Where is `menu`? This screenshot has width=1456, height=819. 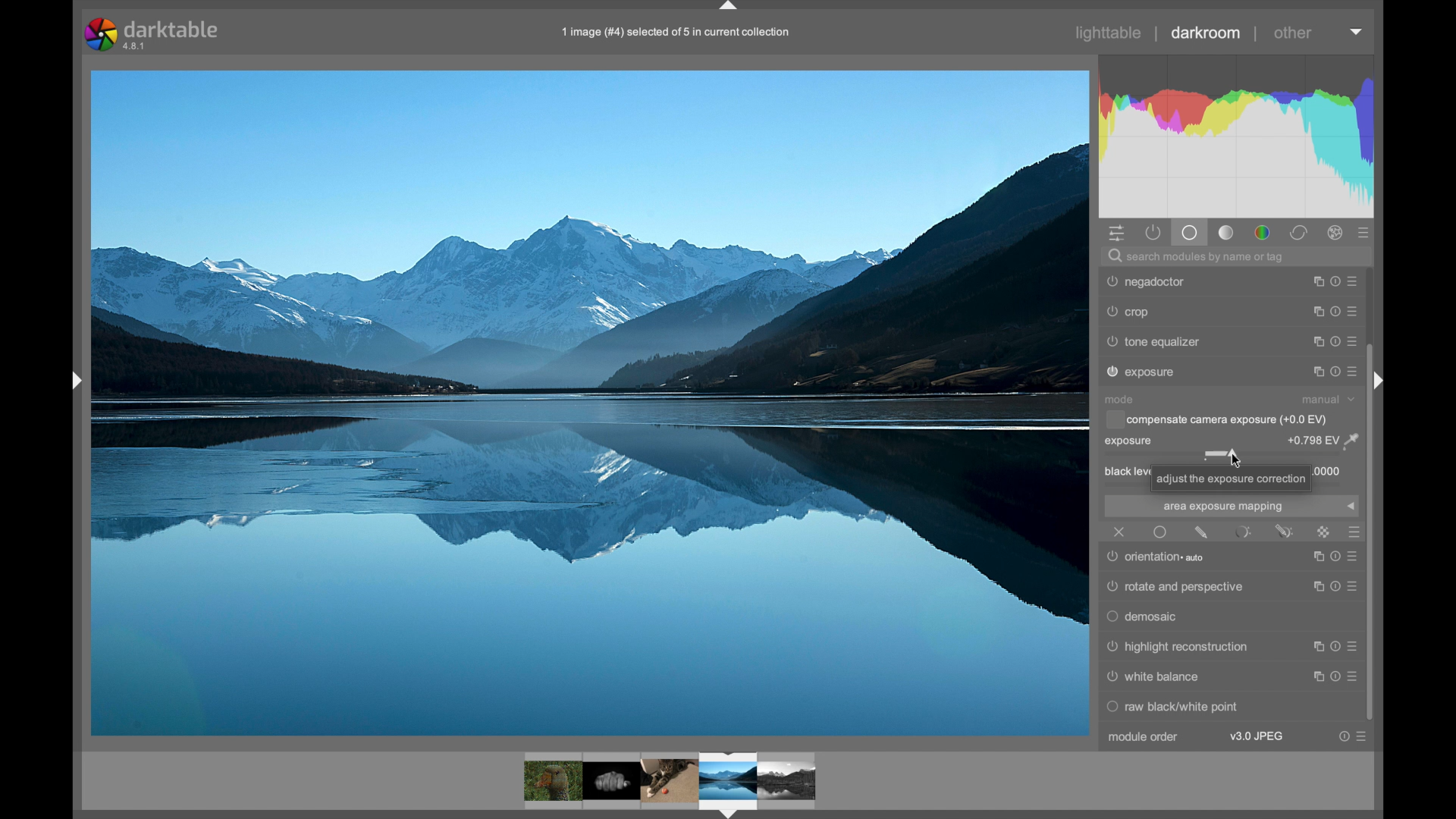 menu is located at coordinates (1333, 678).